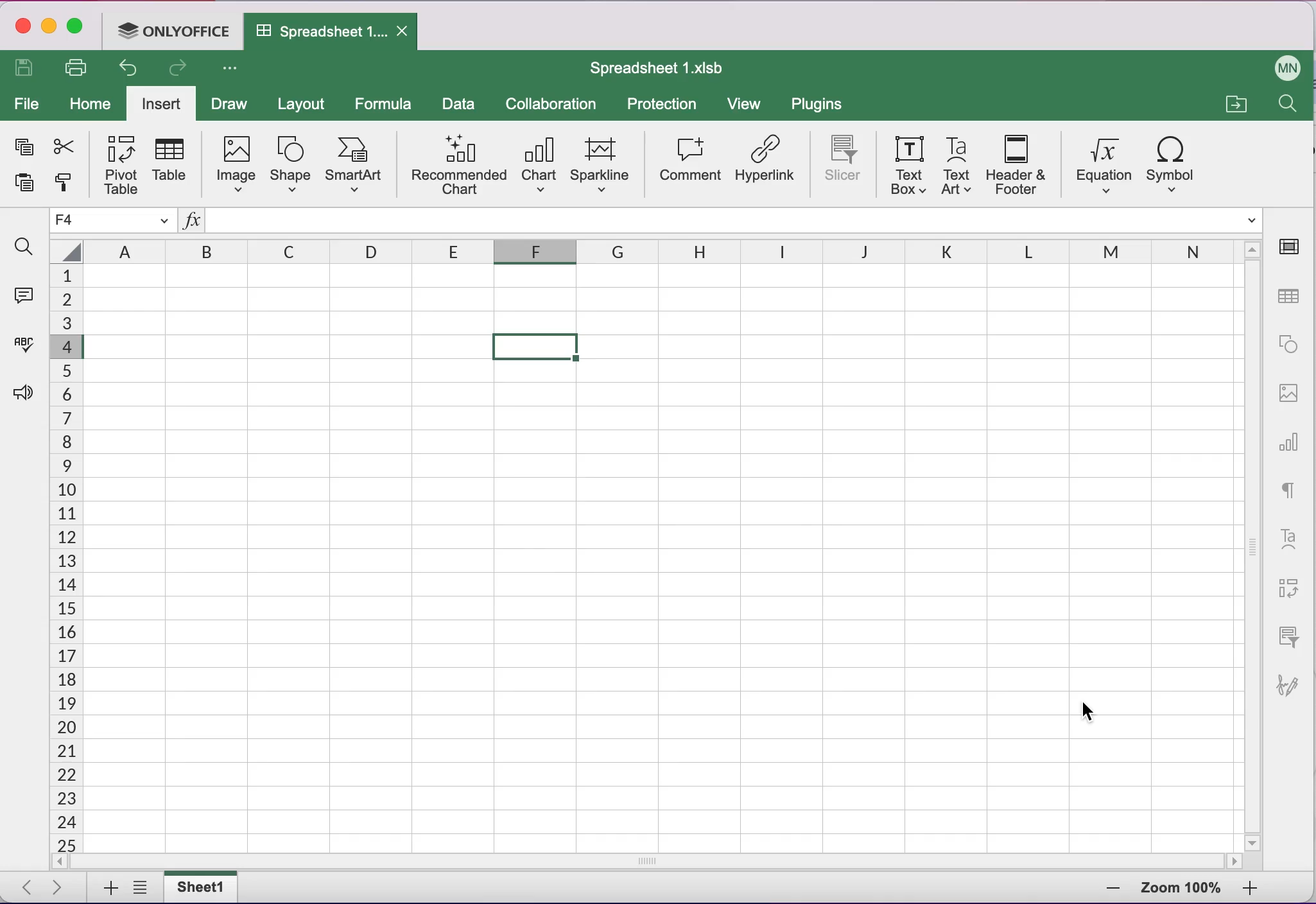 The width and height of the screenshot is (1316, 904). I want to click on zoom in, so click(1102, 889).